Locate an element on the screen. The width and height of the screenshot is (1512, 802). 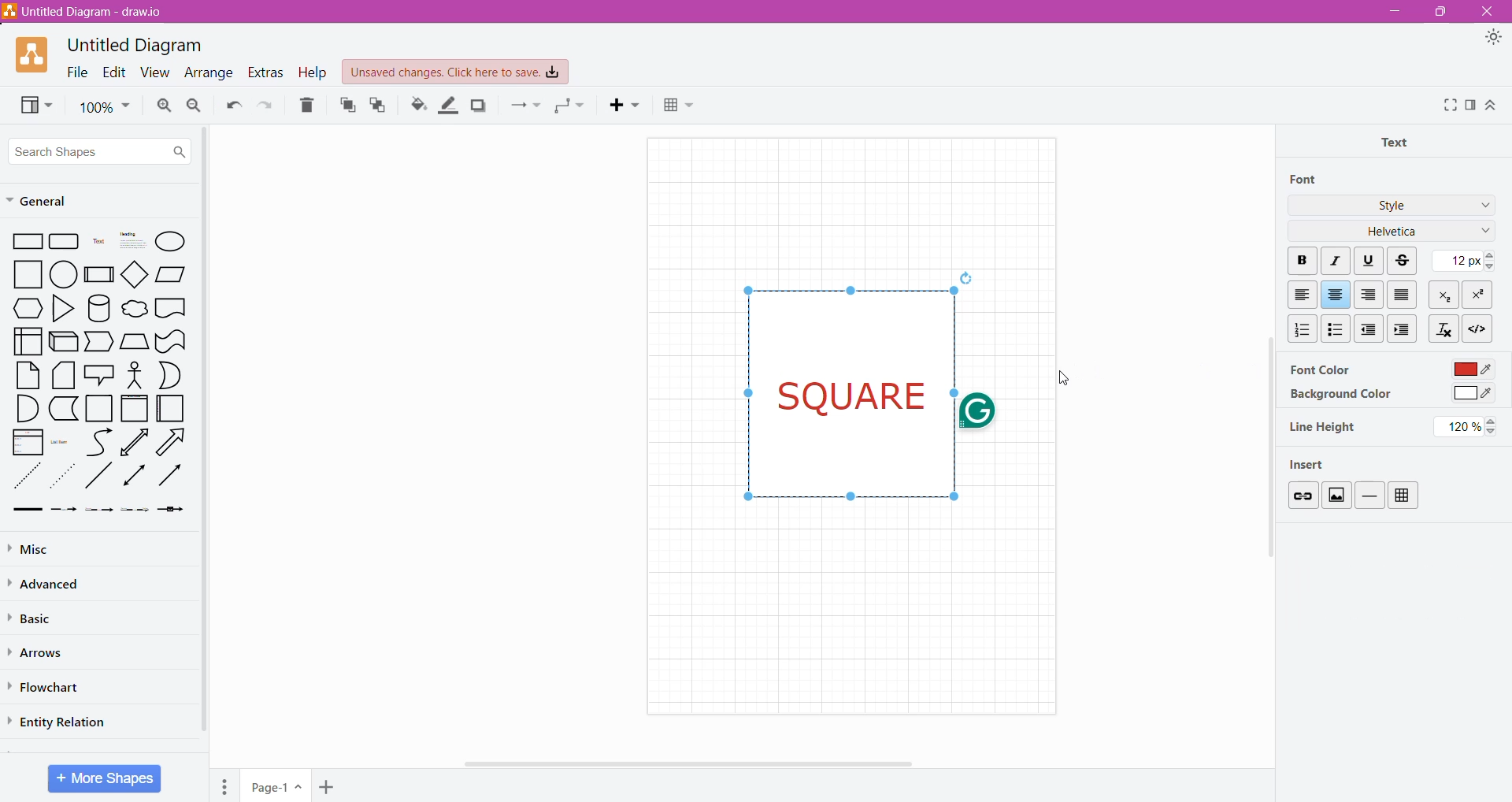
 User Interface is located at coordinates (27, 340).